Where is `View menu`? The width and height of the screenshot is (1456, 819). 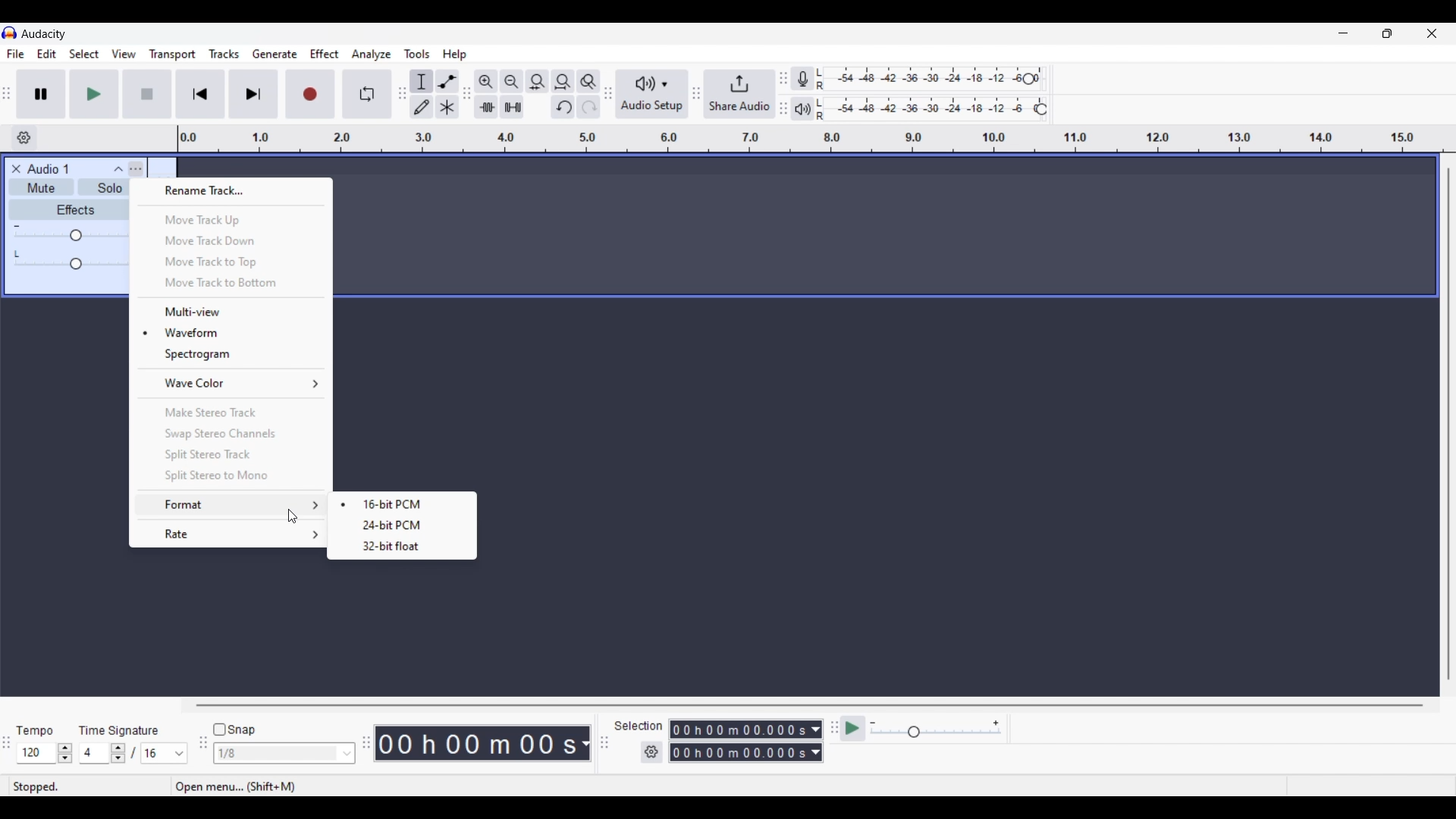 View menu is located at coordinates (124, 54).